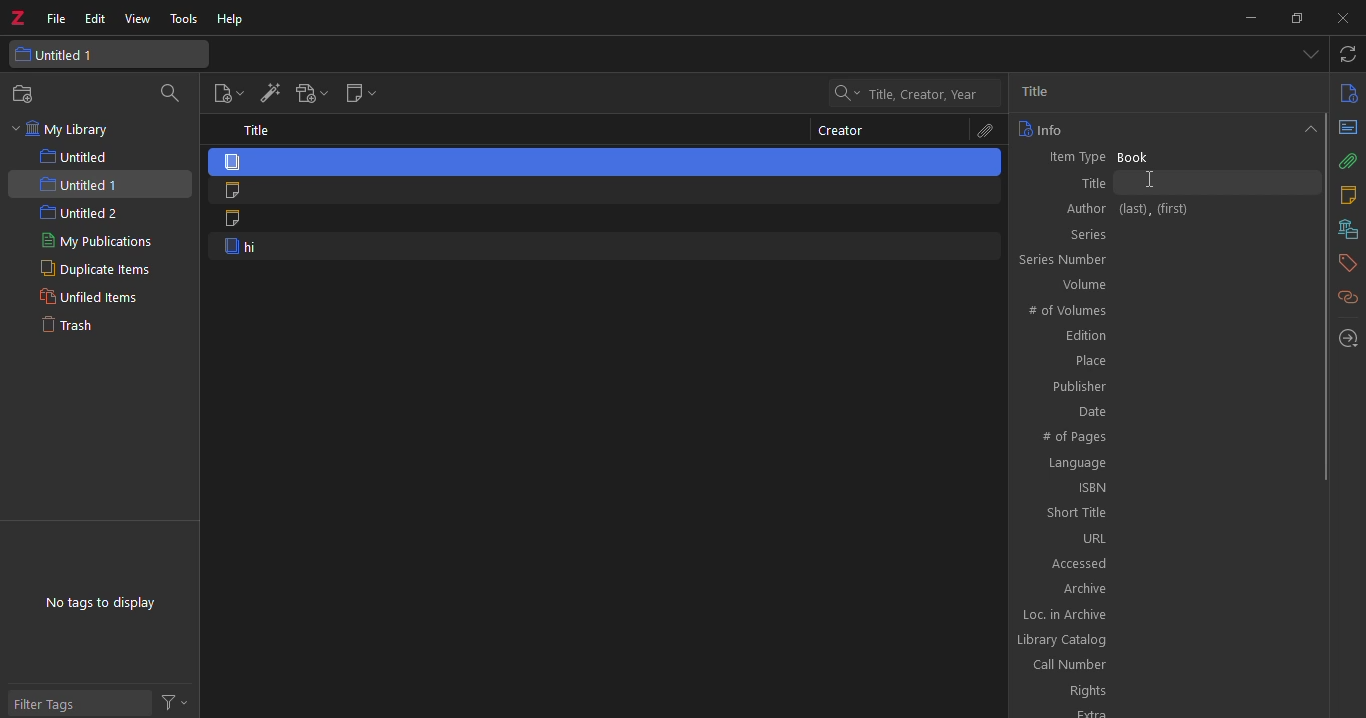  What do you see at coordinates (1162, 713) in the screenshot?
I see `extra` at bounding box center [1162, 713].